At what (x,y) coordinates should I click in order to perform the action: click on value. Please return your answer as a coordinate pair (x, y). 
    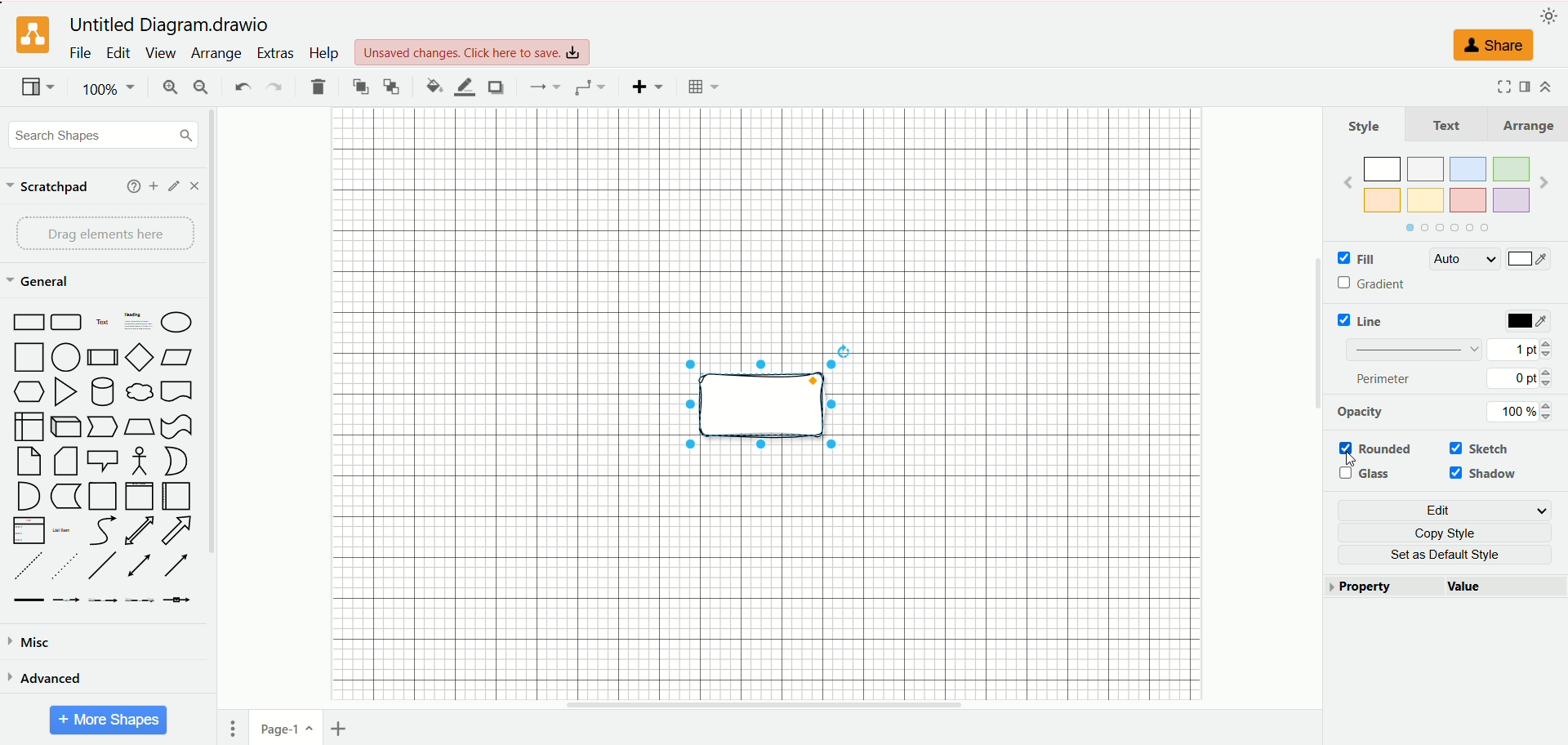
    Looking at the image, I should click on (1505, 588).